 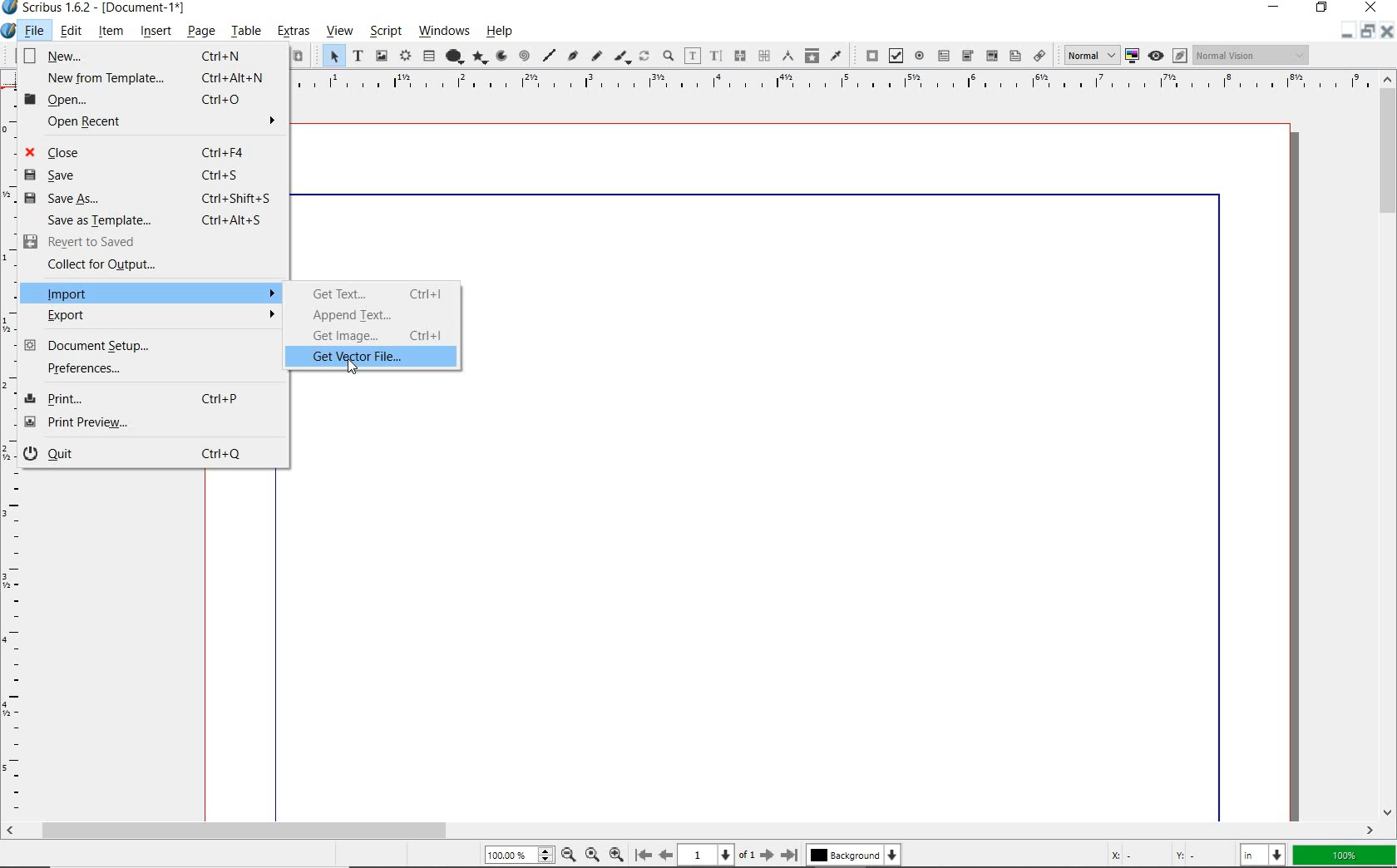 What do you see at coordinates (377, 361) in the screenshot?
I see `get vector file...` at bounding box center [377, 361].